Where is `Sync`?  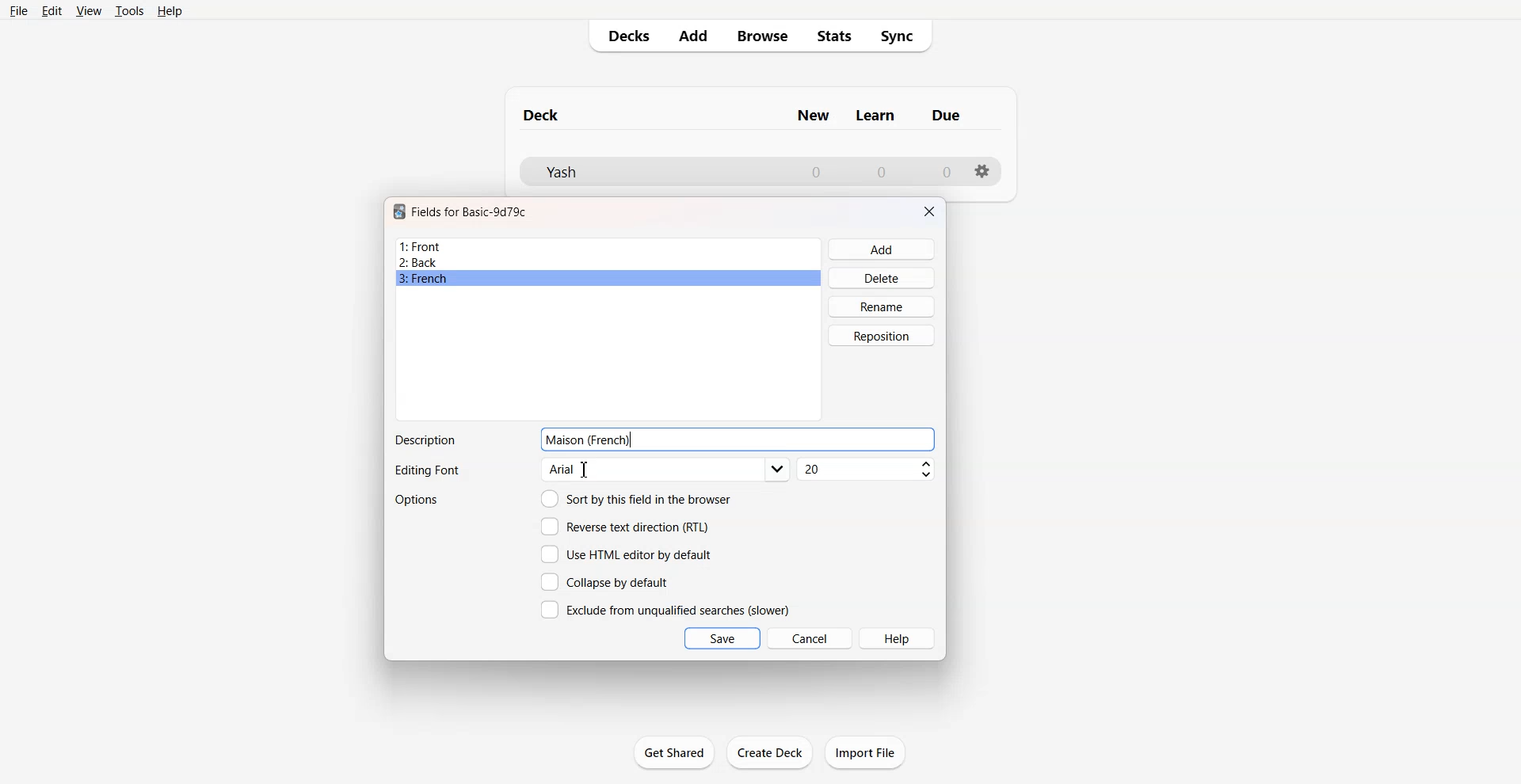
Sync is located at coordinates (902, 36).